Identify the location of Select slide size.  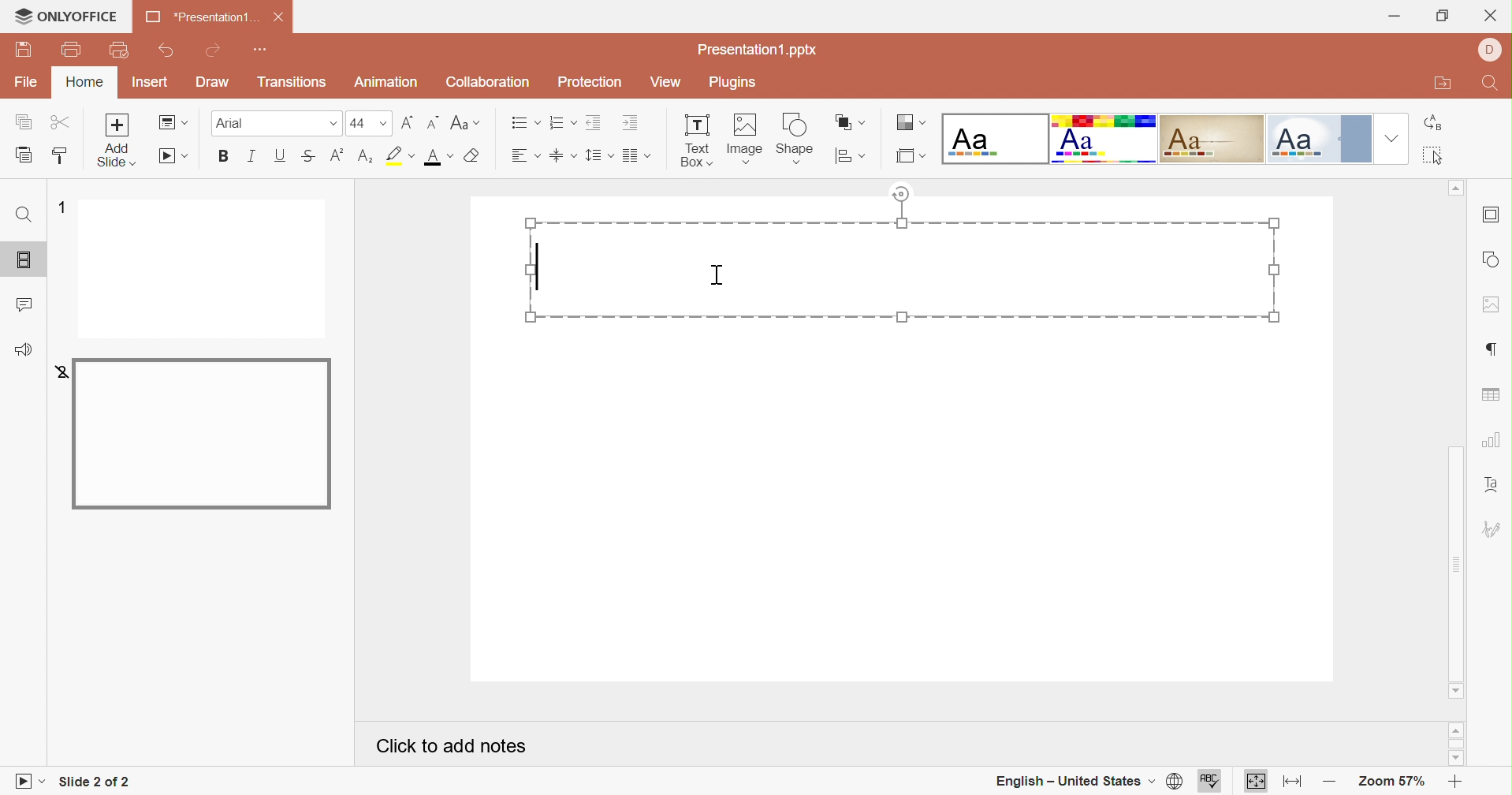
(912, 158).